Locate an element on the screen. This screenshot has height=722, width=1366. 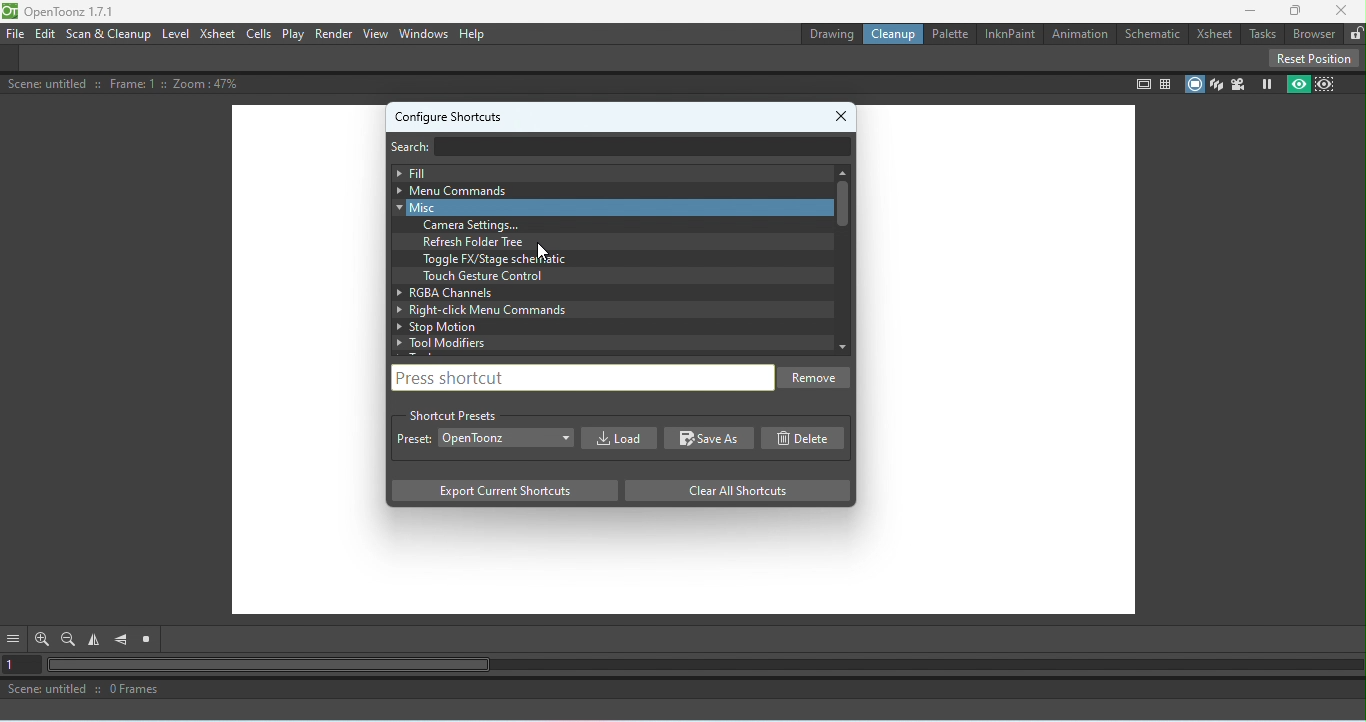
Lock rooms tab is located at coordinates (1355, 32).